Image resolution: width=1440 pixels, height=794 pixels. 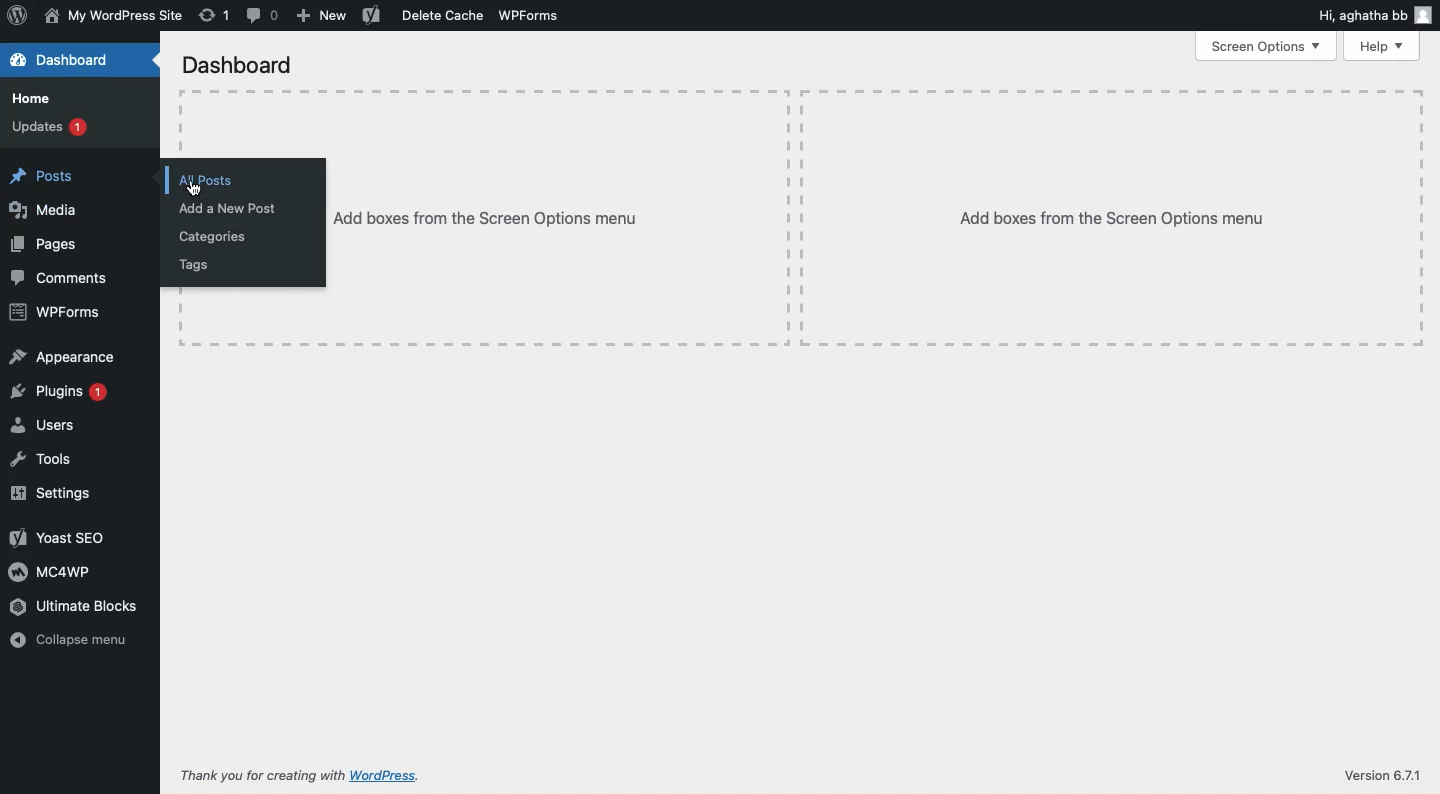 What do you see at coordinates (68, 639) in the screenshot?
I see `Collapse menu` at bounding box center [68, 639].